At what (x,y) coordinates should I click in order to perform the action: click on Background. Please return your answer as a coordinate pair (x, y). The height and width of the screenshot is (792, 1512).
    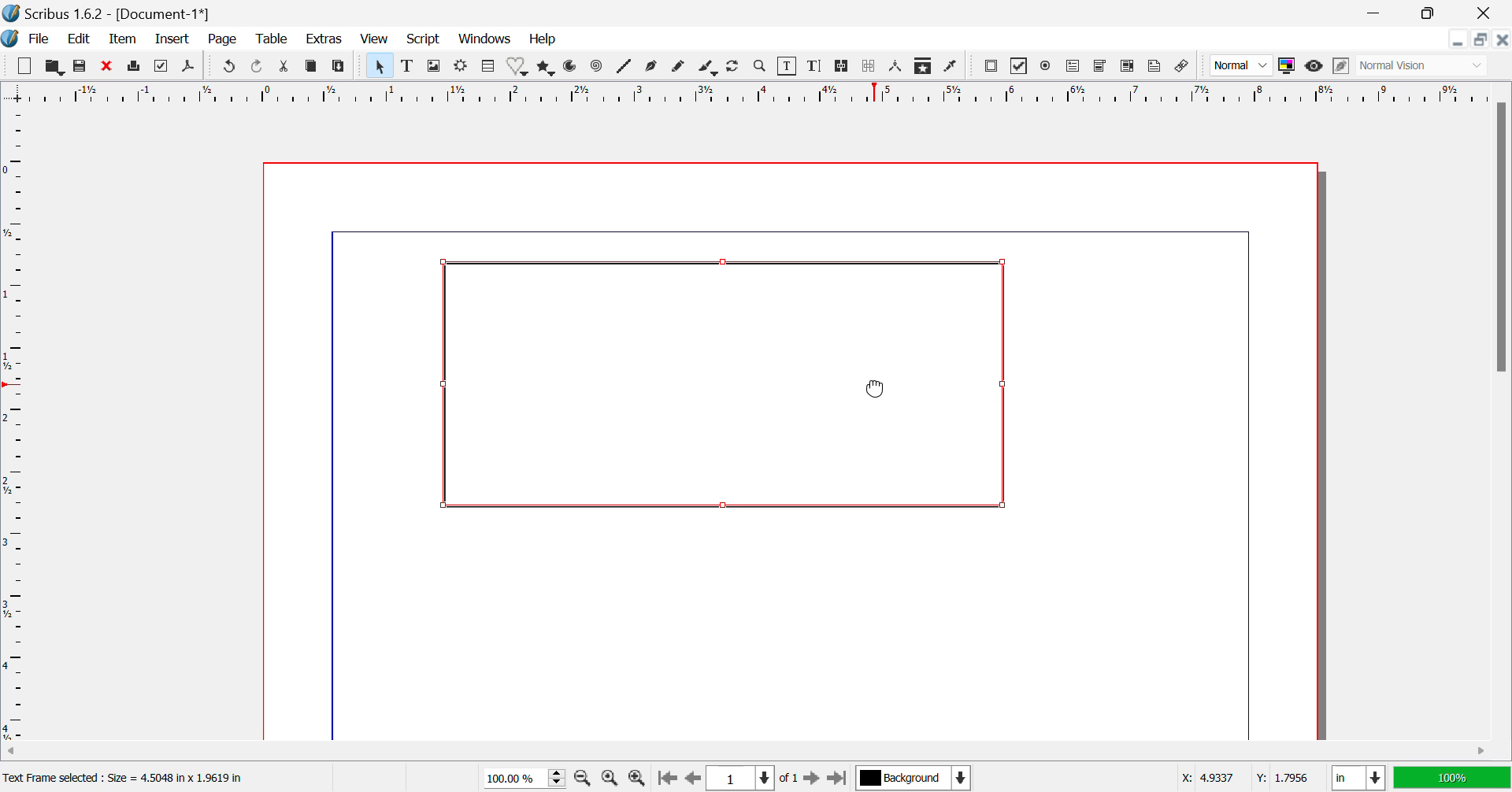
    Looking at the image, I should click on (912, 777).